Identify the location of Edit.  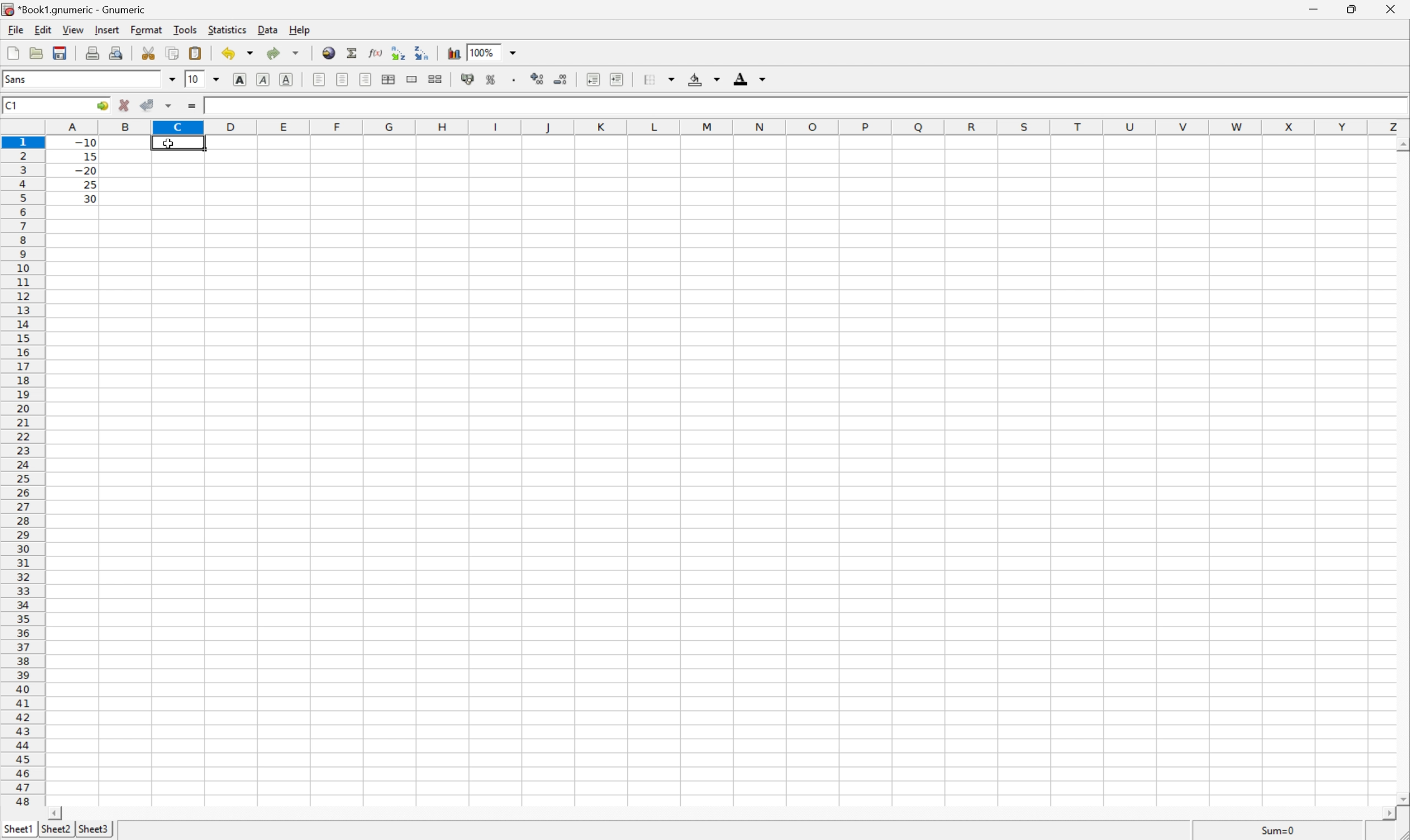
(44, 28).